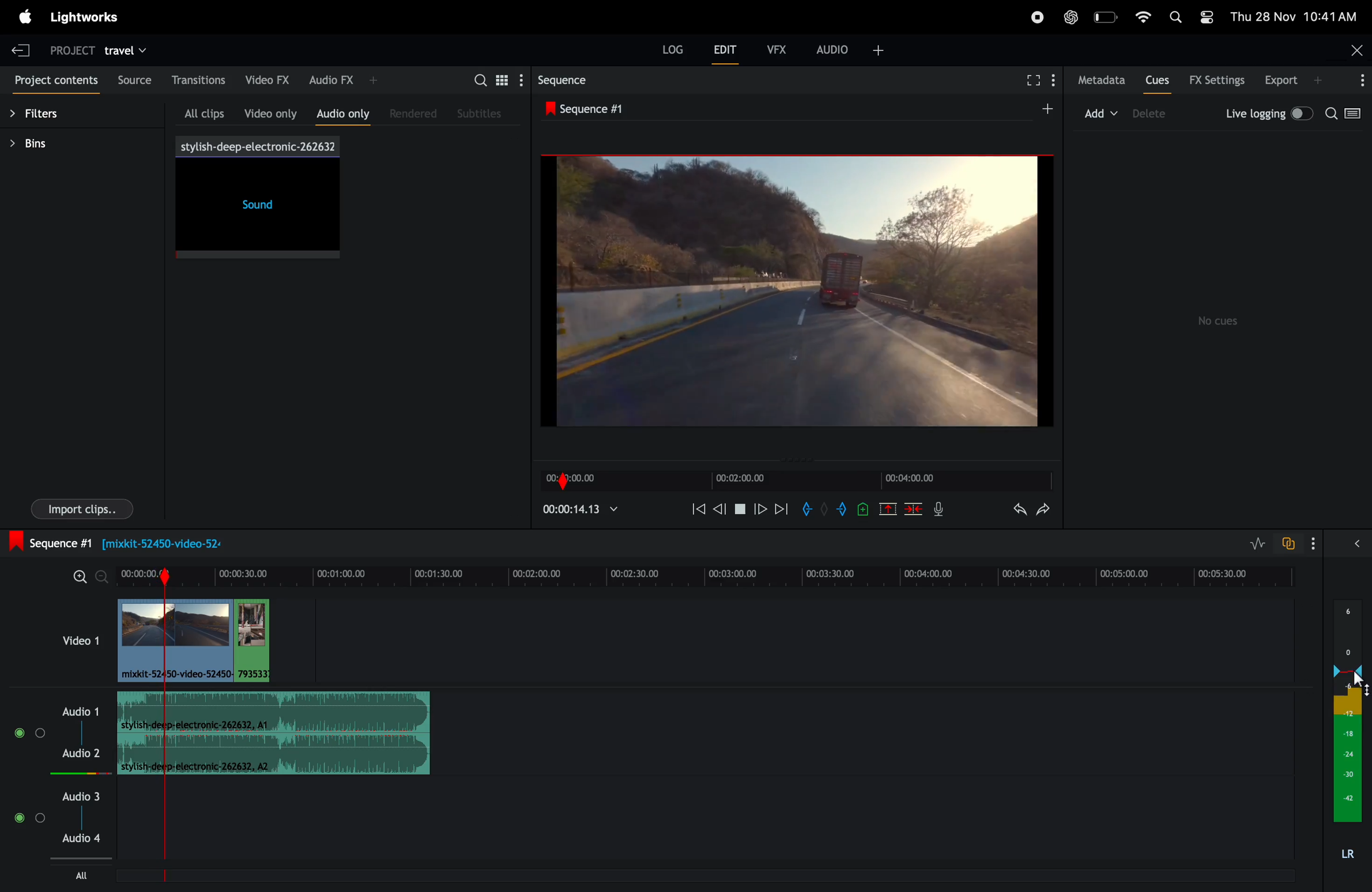 This screenshot has height=892, width=1372. I want to click on move forward, so click(782, 508).